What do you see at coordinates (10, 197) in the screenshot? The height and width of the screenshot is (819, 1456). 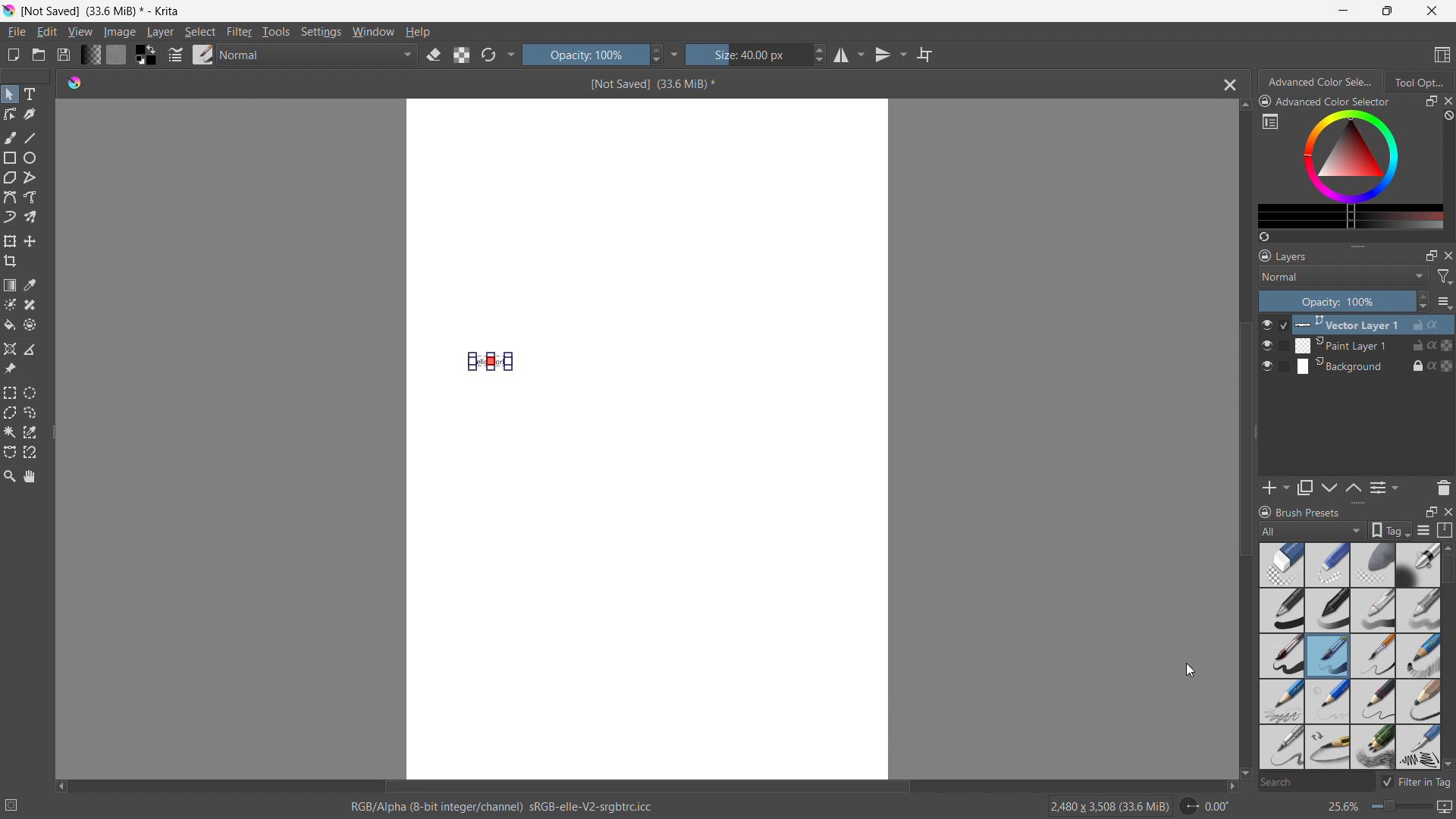 I see `bezier curve tool` at bounding box center [10, 197].